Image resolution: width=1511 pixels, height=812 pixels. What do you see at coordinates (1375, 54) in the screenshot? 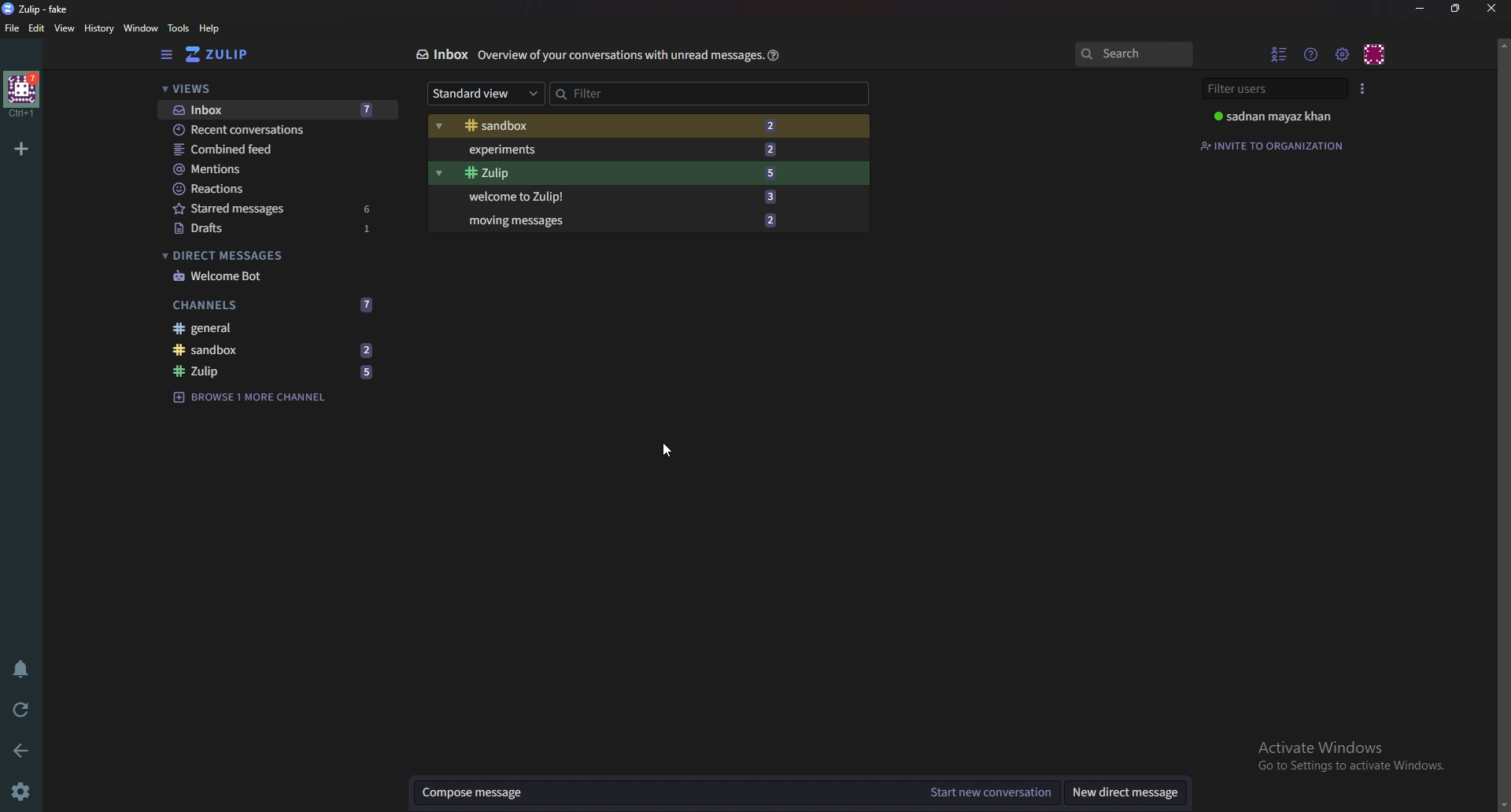
I see `Personal menu` at bounding box center [1375, 54].